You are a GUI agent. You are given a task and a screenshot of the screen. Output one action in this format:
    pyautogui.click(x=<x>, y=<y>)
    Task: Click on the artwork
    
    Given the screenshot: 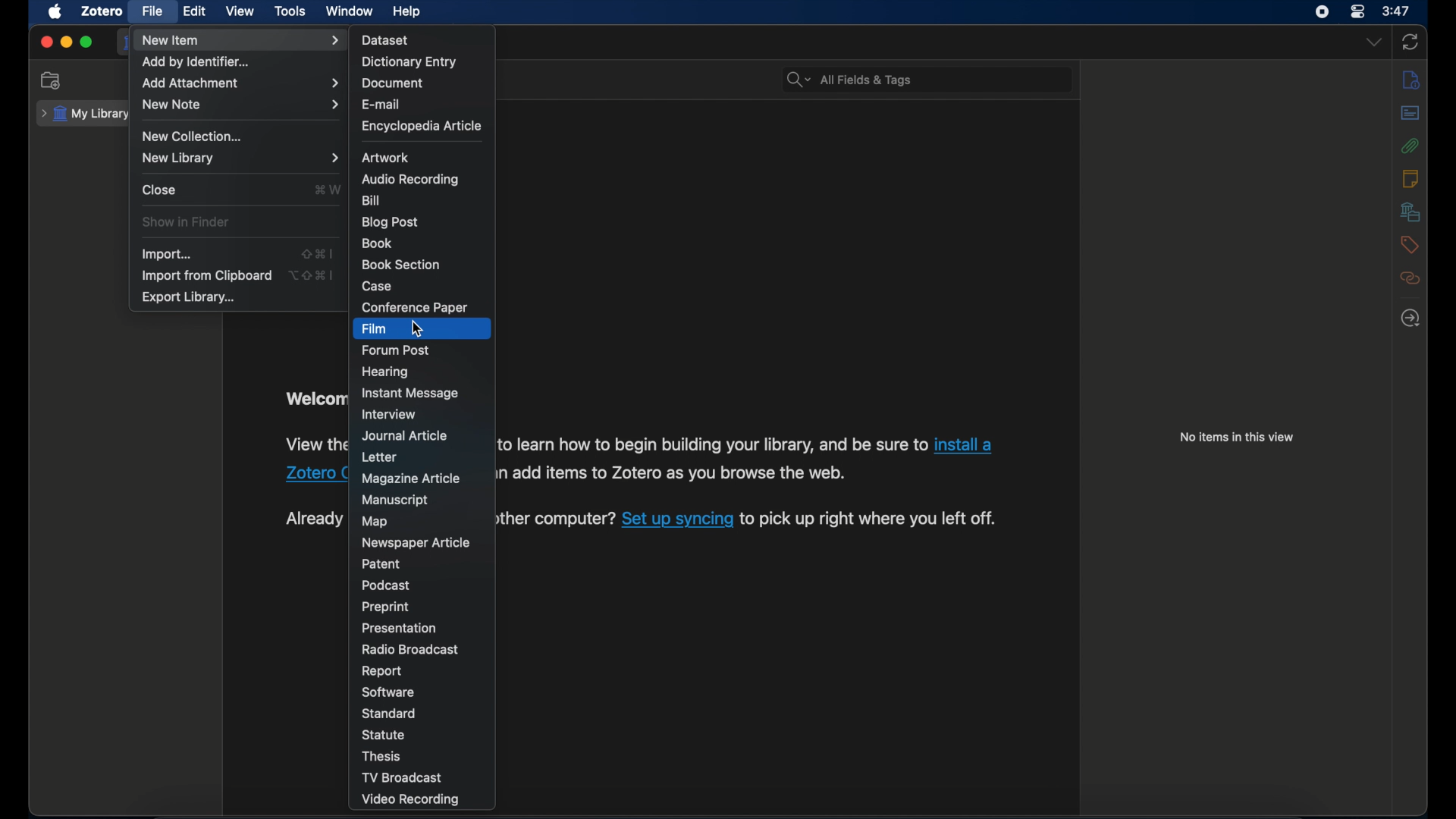 What is the action you would take?
    pyautogui.click(x=386, y=158)
    